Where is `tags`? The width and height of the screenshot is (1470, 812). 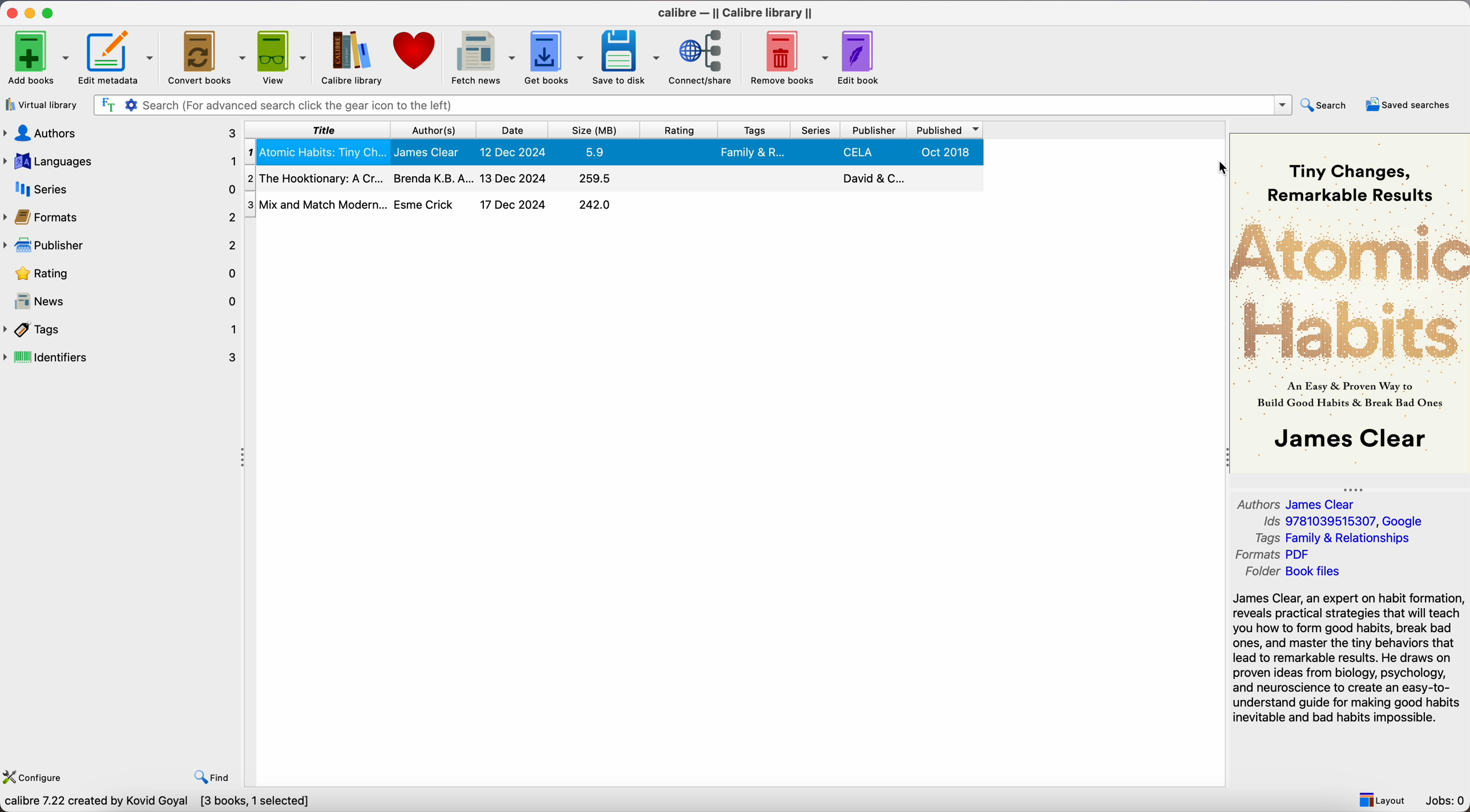
tags is located at coordinates (127, 330).